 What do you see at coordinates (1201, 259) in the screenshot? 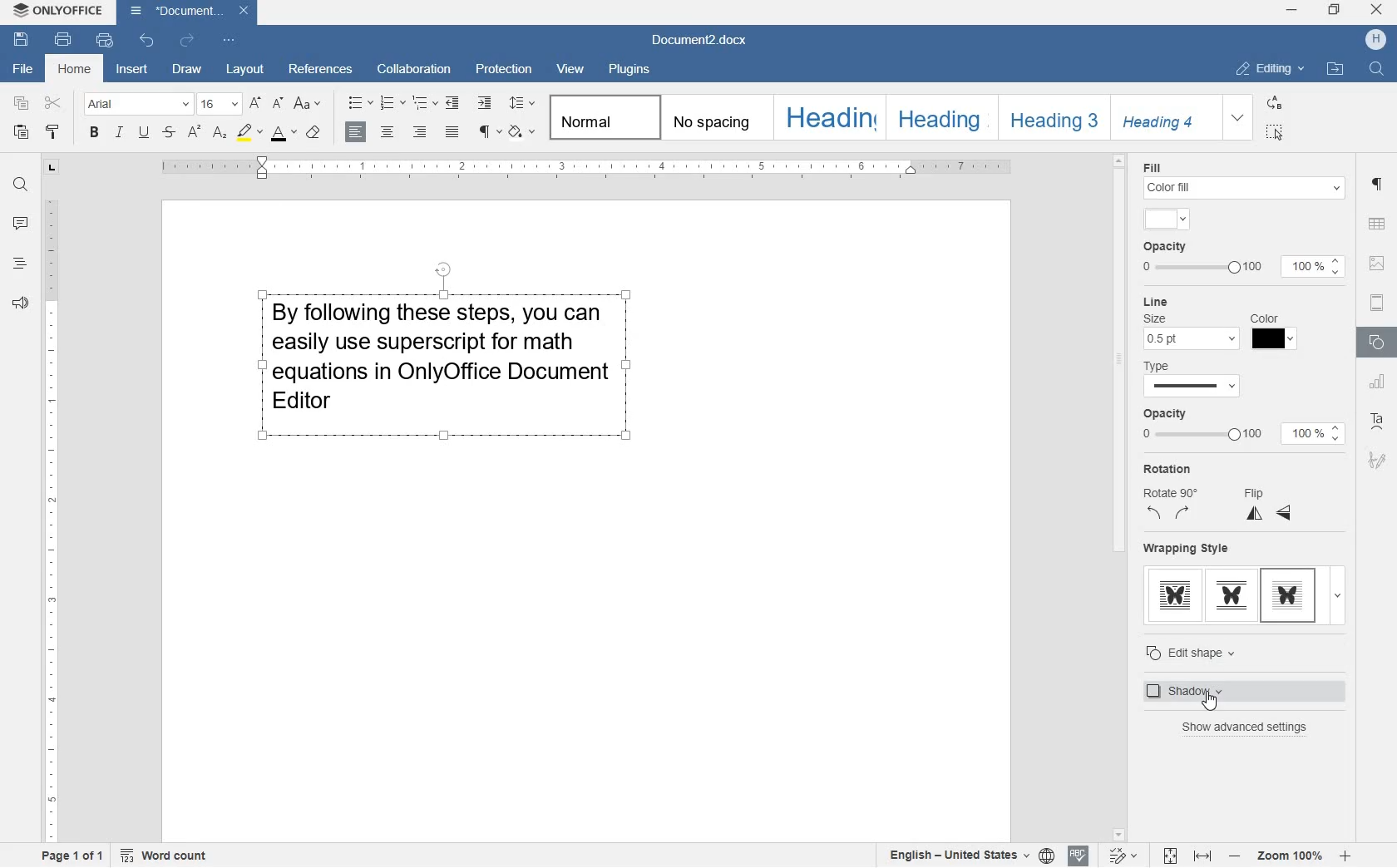
I see `opacity` at bounding box center [1201, 259].